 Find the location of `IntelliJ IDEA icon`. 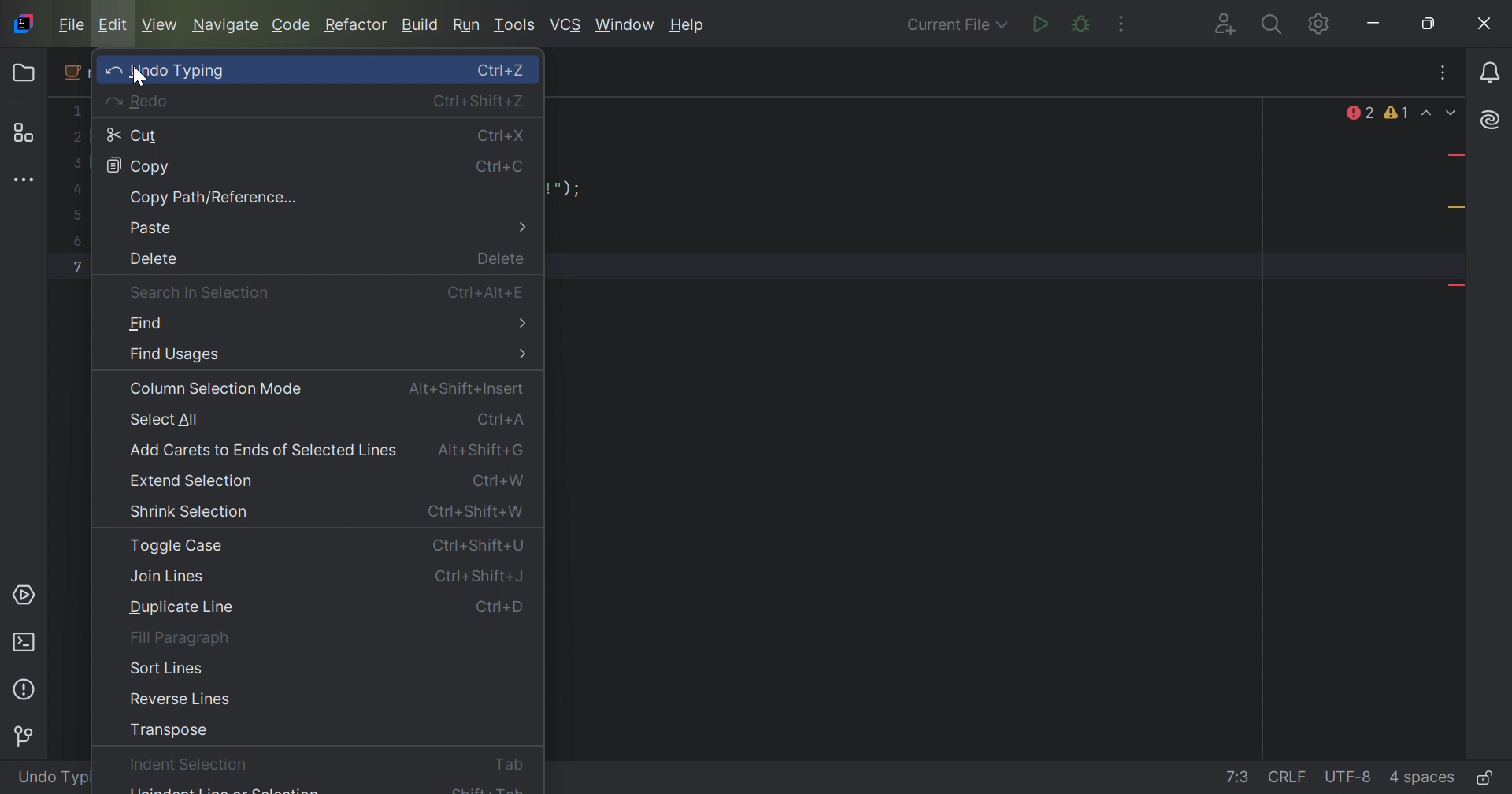

IntelliJ IDEA icon is located at coordinates (24, 24).